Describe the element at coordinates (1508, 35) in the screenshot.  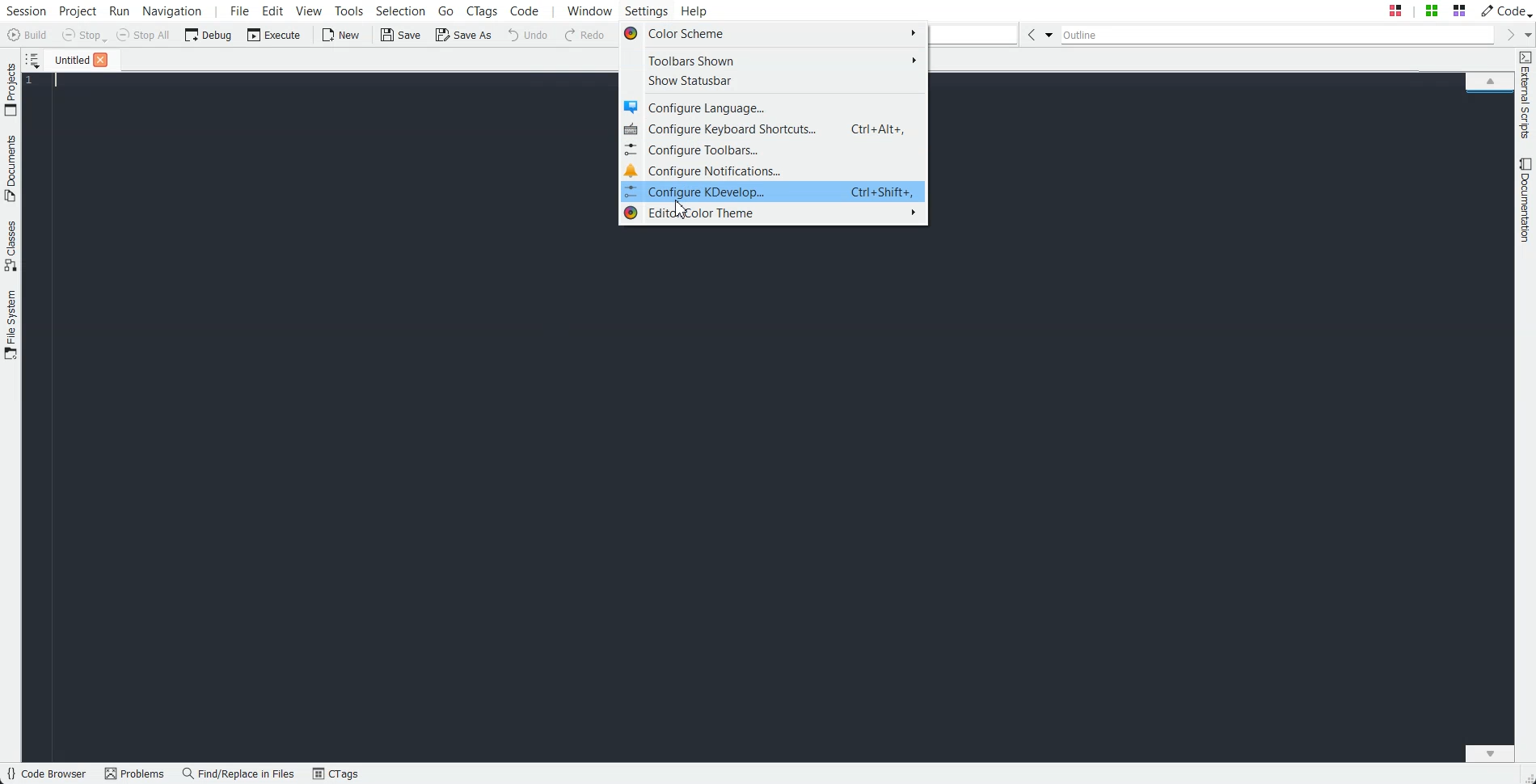
I see `Go forward` at that location.